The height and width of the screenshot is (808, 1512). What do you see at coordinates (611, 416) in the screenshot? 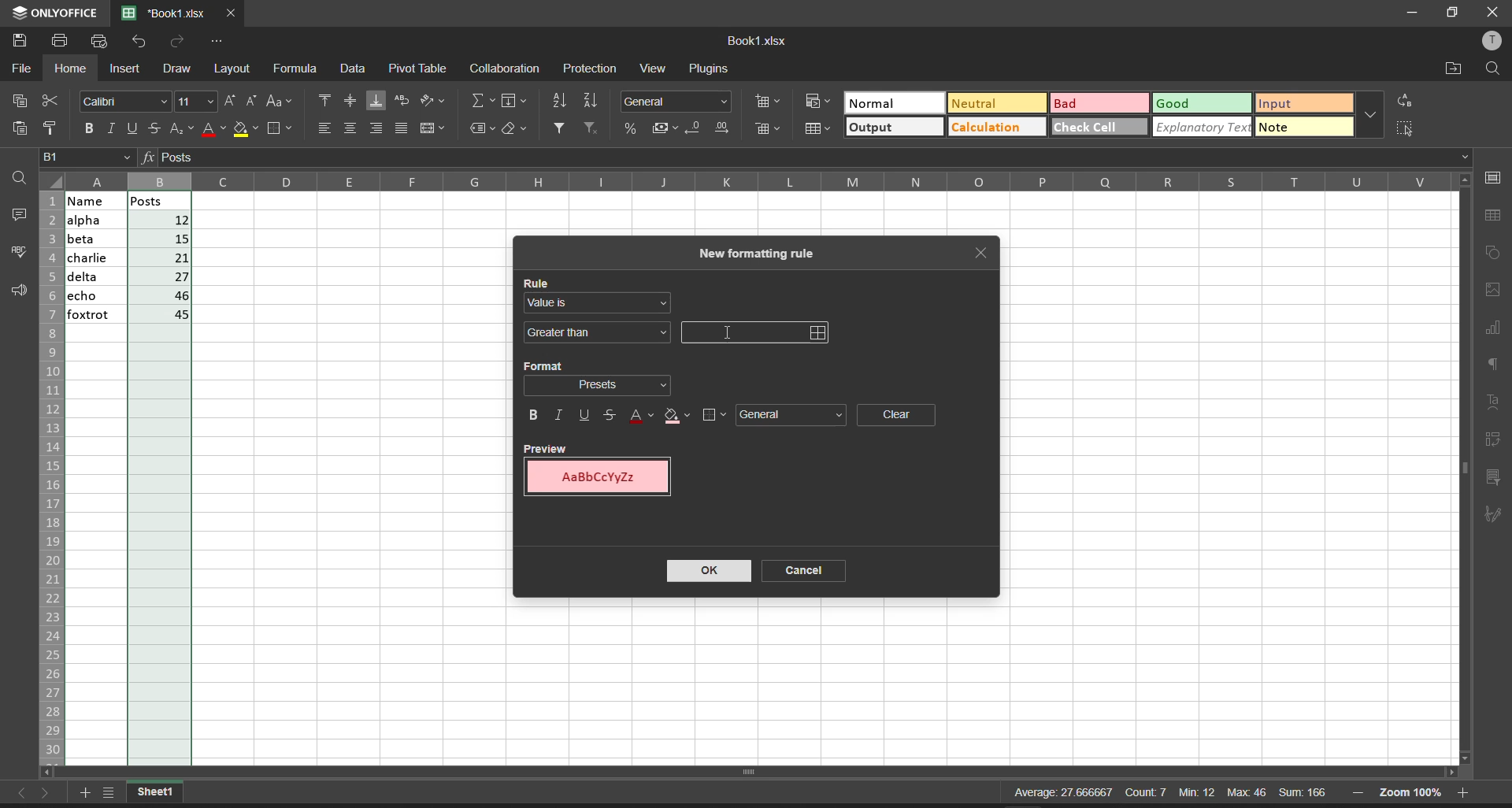
I see `strikethrough` at bounding box center [611, 416].